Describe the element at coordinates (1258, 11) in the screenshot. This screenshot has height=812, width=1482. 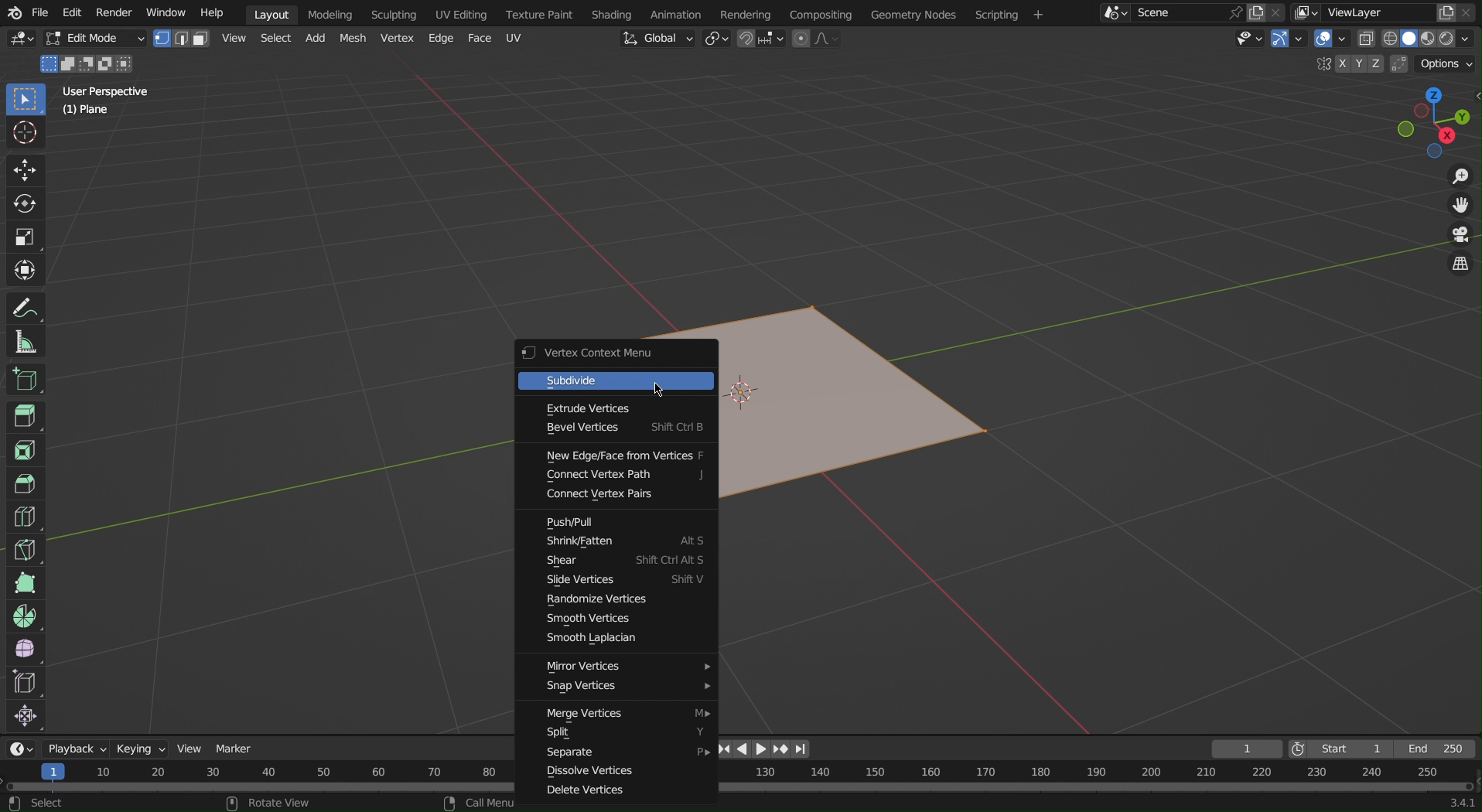
I see `copy` at that location.